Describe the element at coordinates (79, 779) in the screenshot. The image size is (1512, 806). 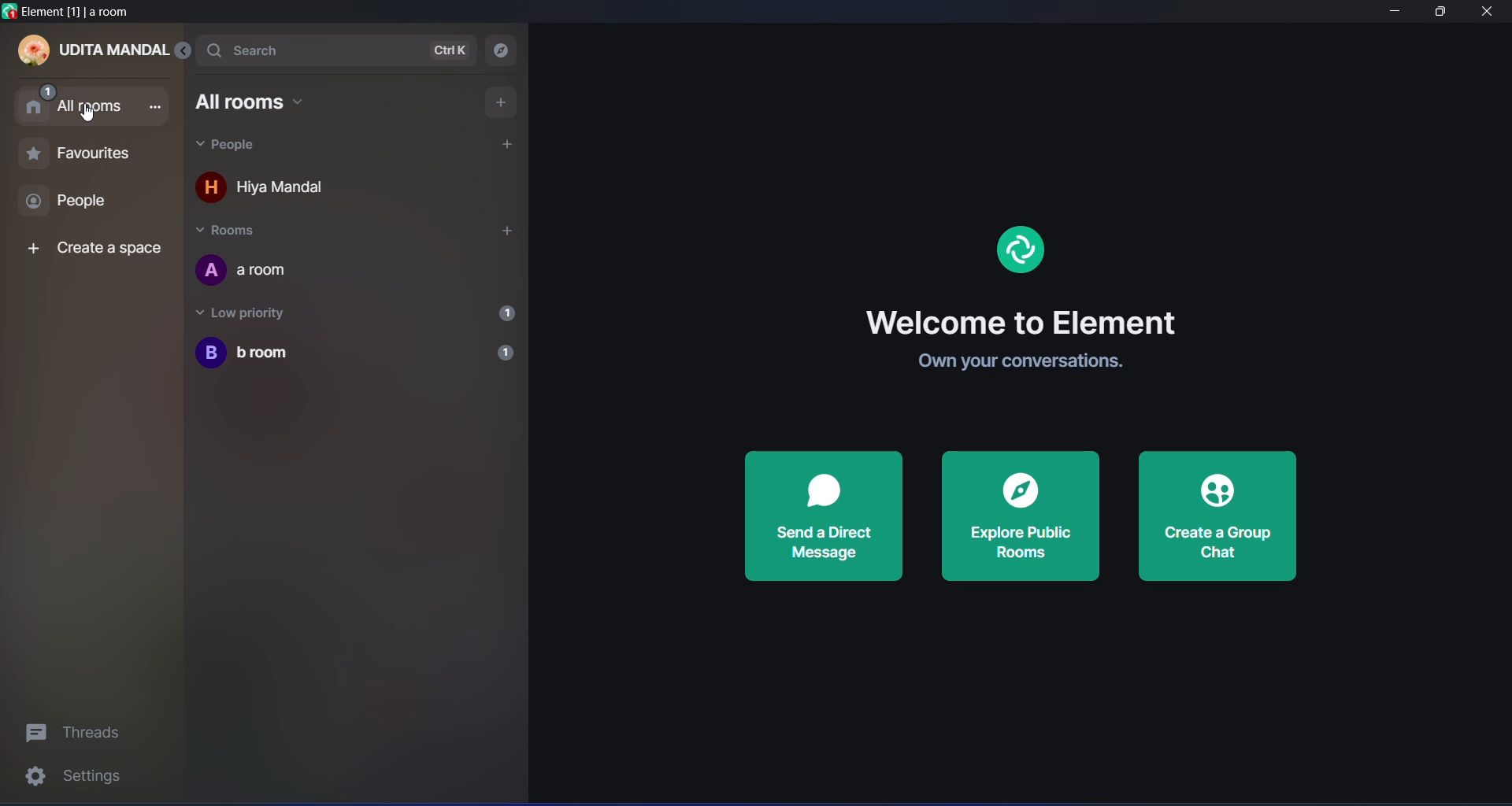
I see `Settings` at that location.